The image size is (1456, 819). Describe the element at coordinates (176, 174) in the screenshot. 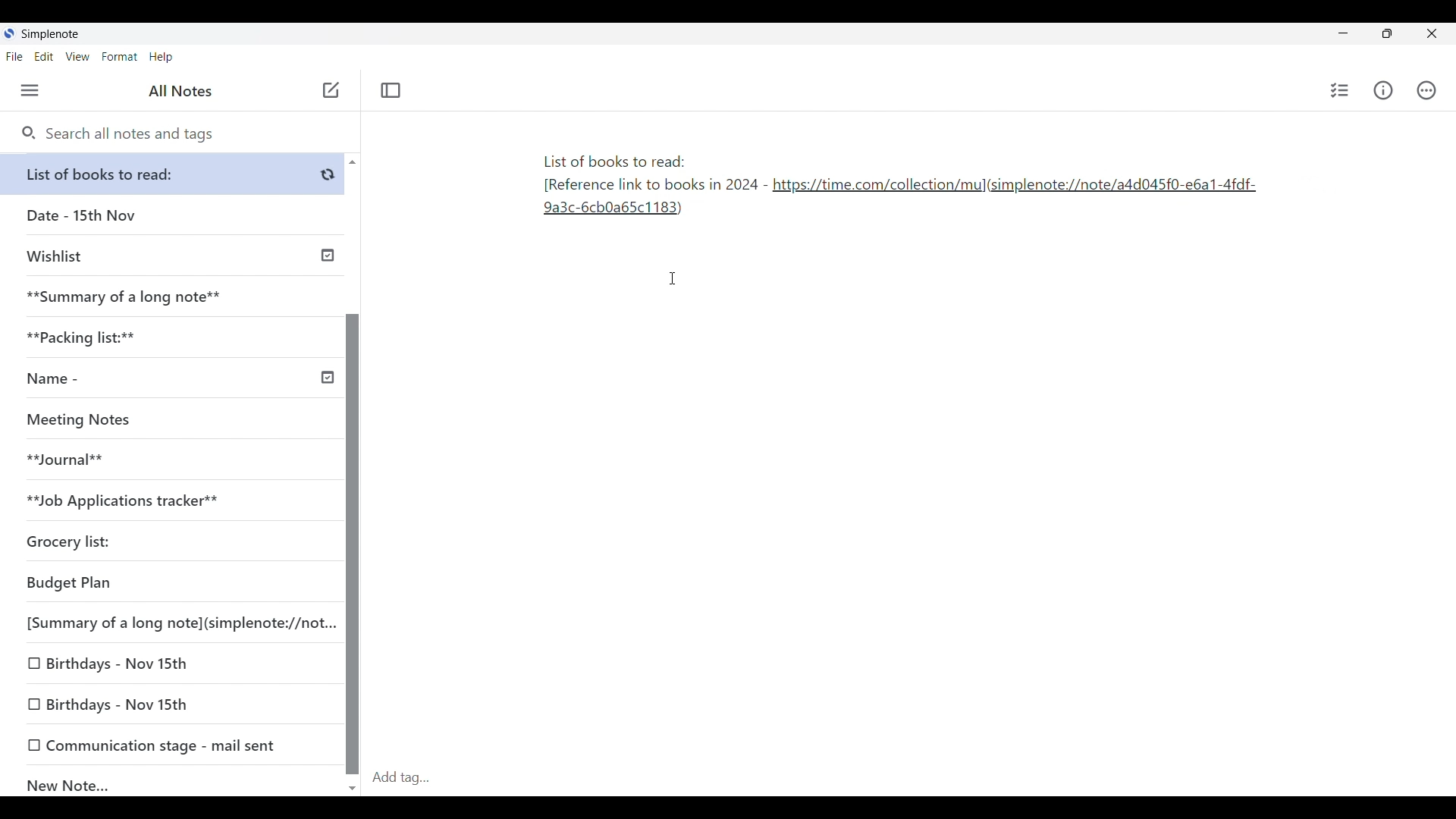

I see `List of books to read:` at that location.